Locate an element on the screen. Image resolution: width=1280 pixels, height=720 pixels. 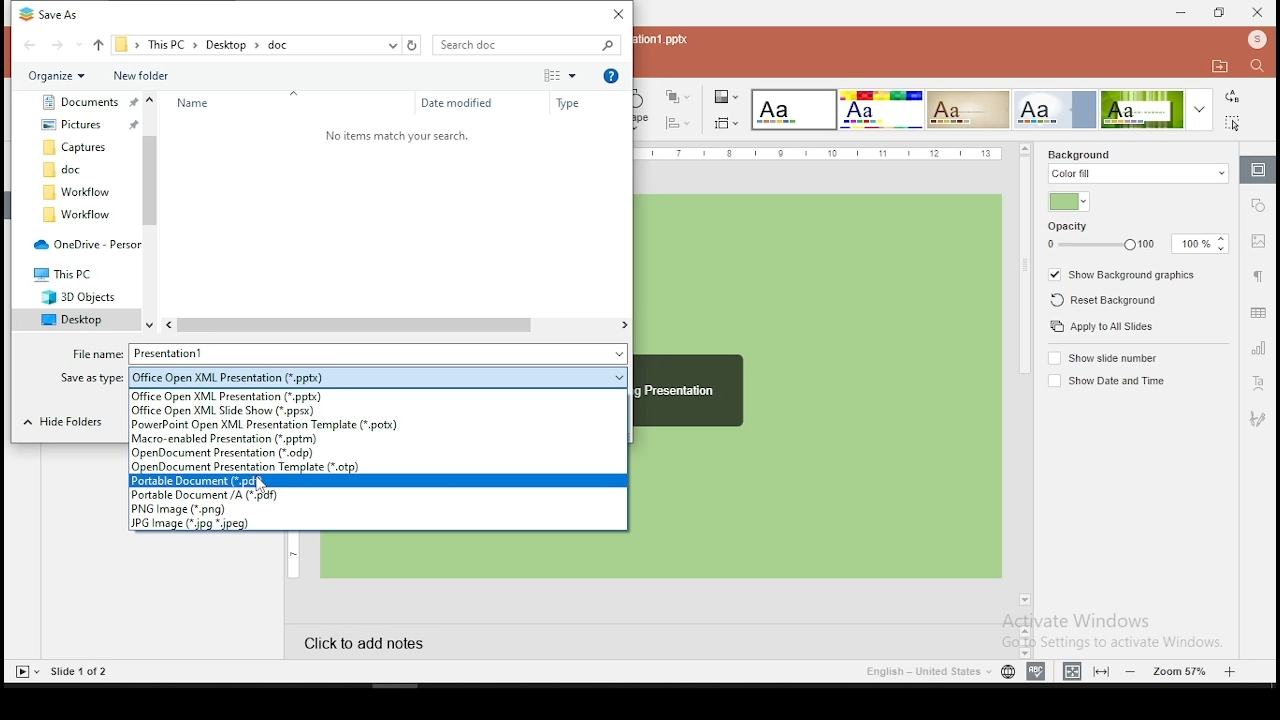
background fill is located at coordinates (1080, 154).